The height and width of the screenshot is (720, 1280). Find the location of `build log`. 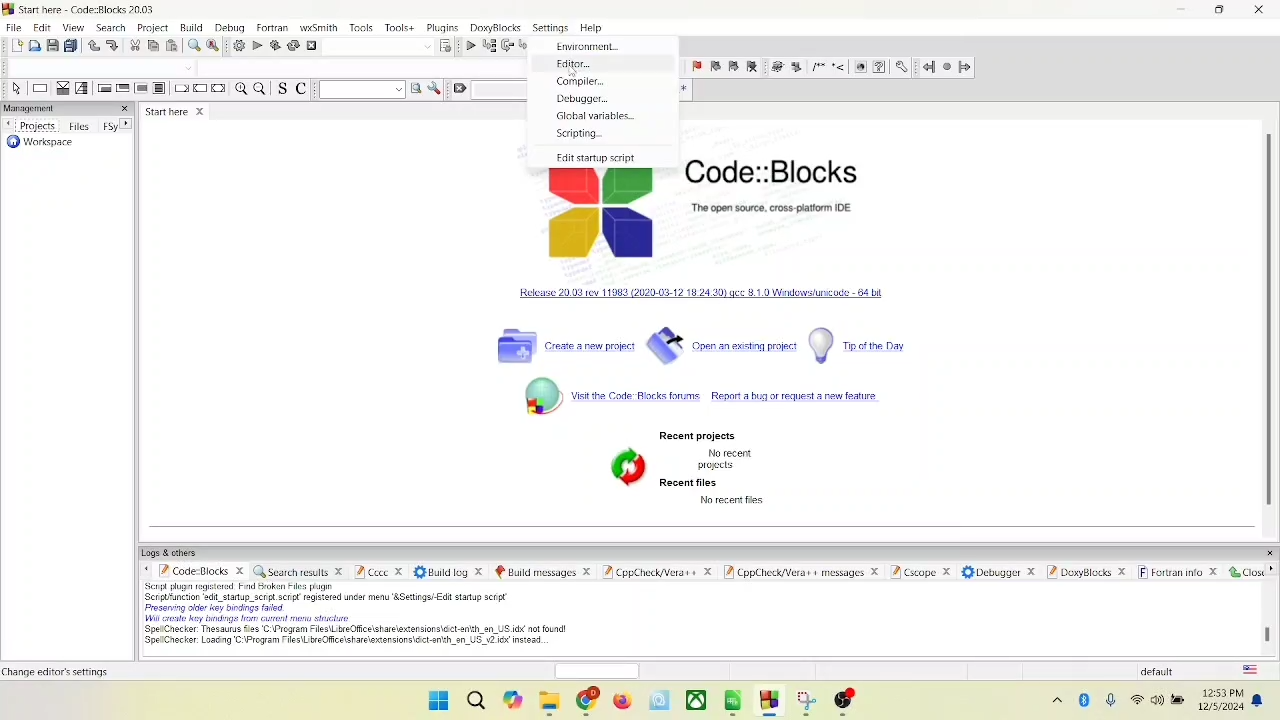

build log is located at coordinates (449, 571).